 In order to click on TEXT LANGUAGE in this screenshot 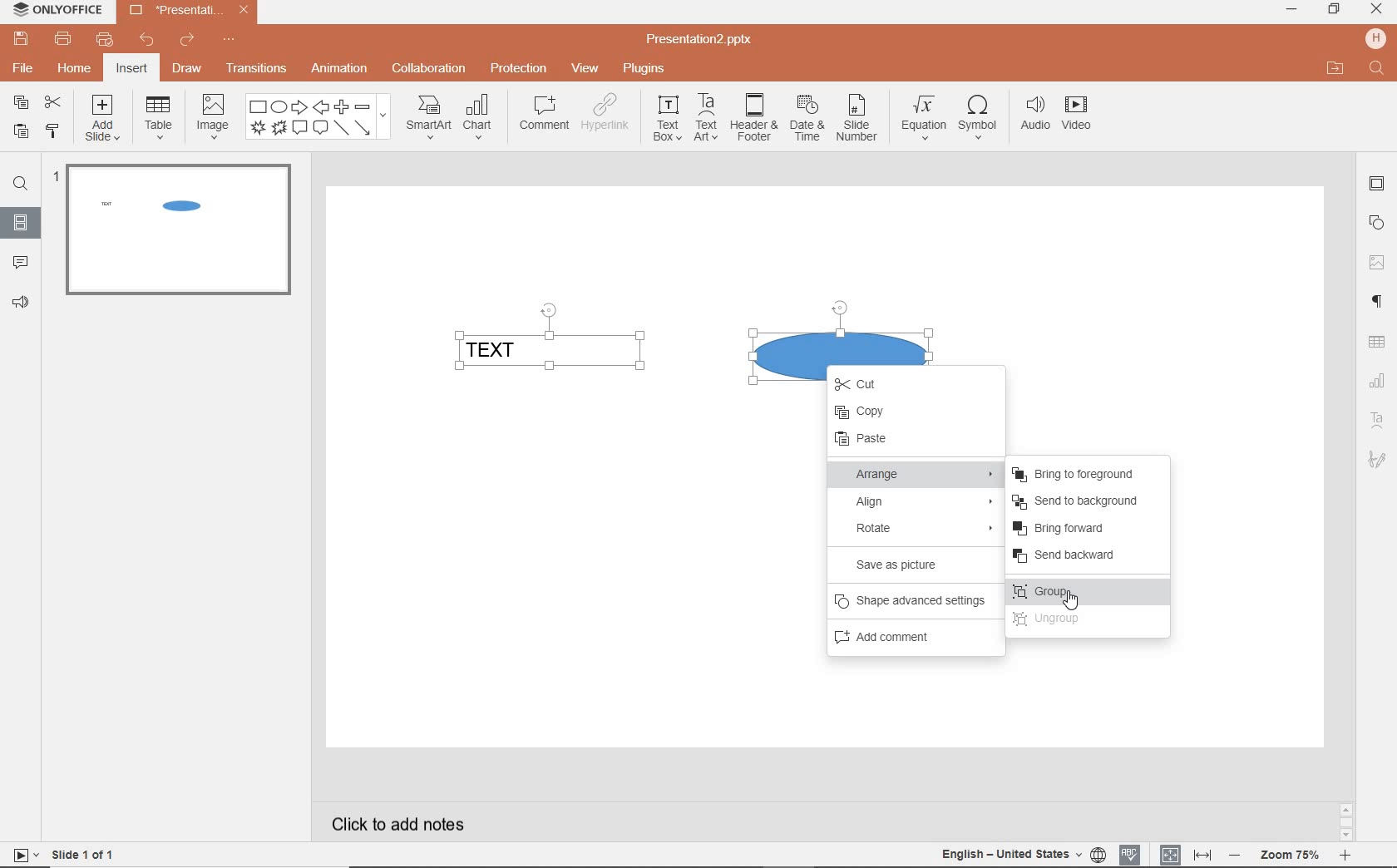, I will do `click(1021, 855)`.